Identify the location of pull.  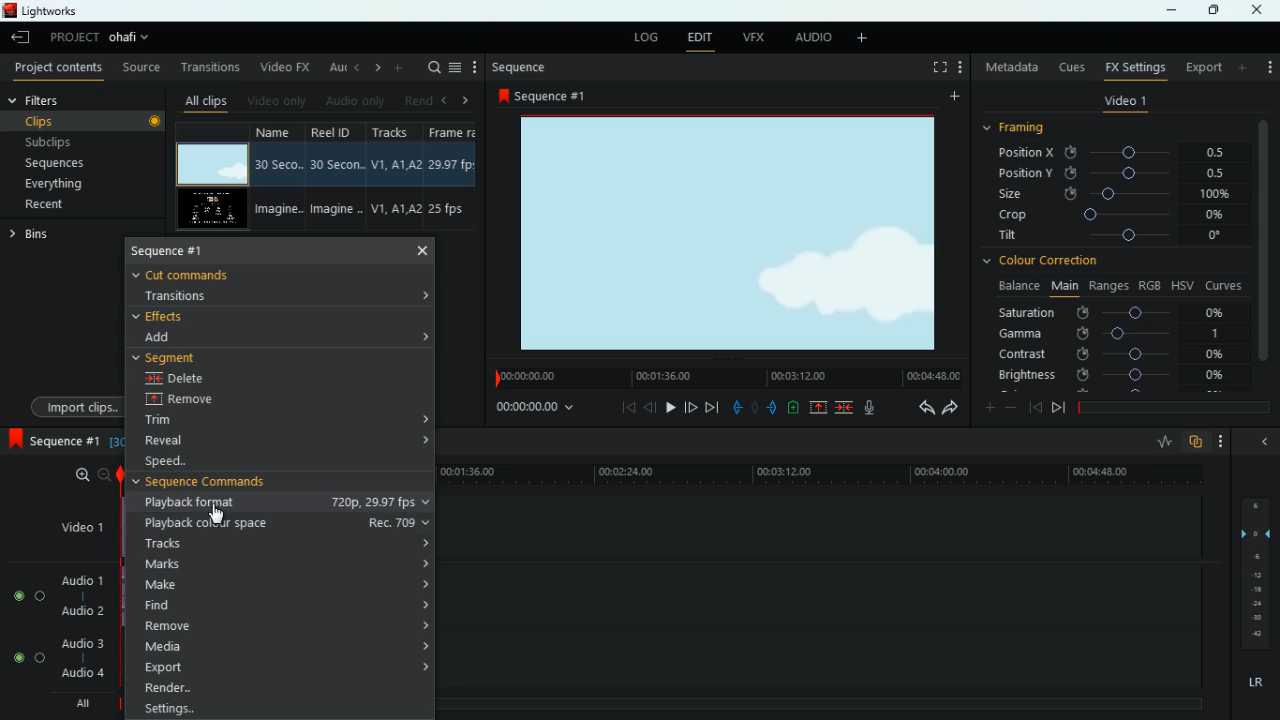
(735, 409).